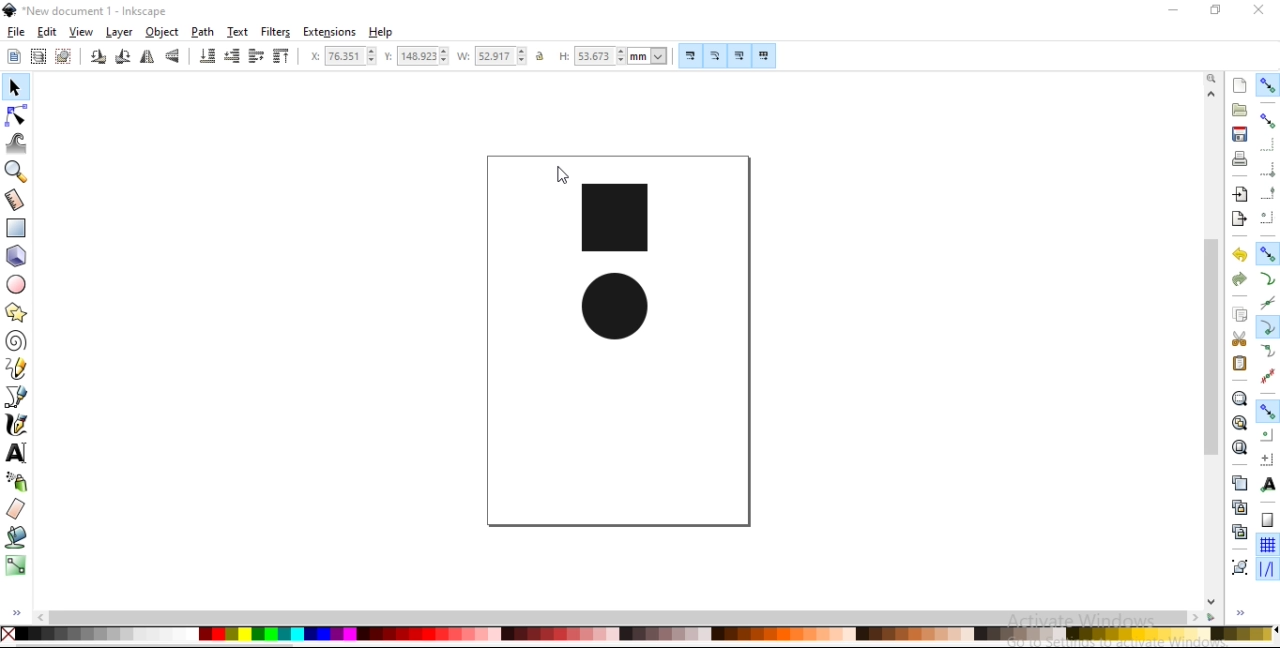 The width and height of the screenshot is (1280, 648). Describe the element at coordinates (14, 174) in the screenshot. I see `zoom in or out` at that location.